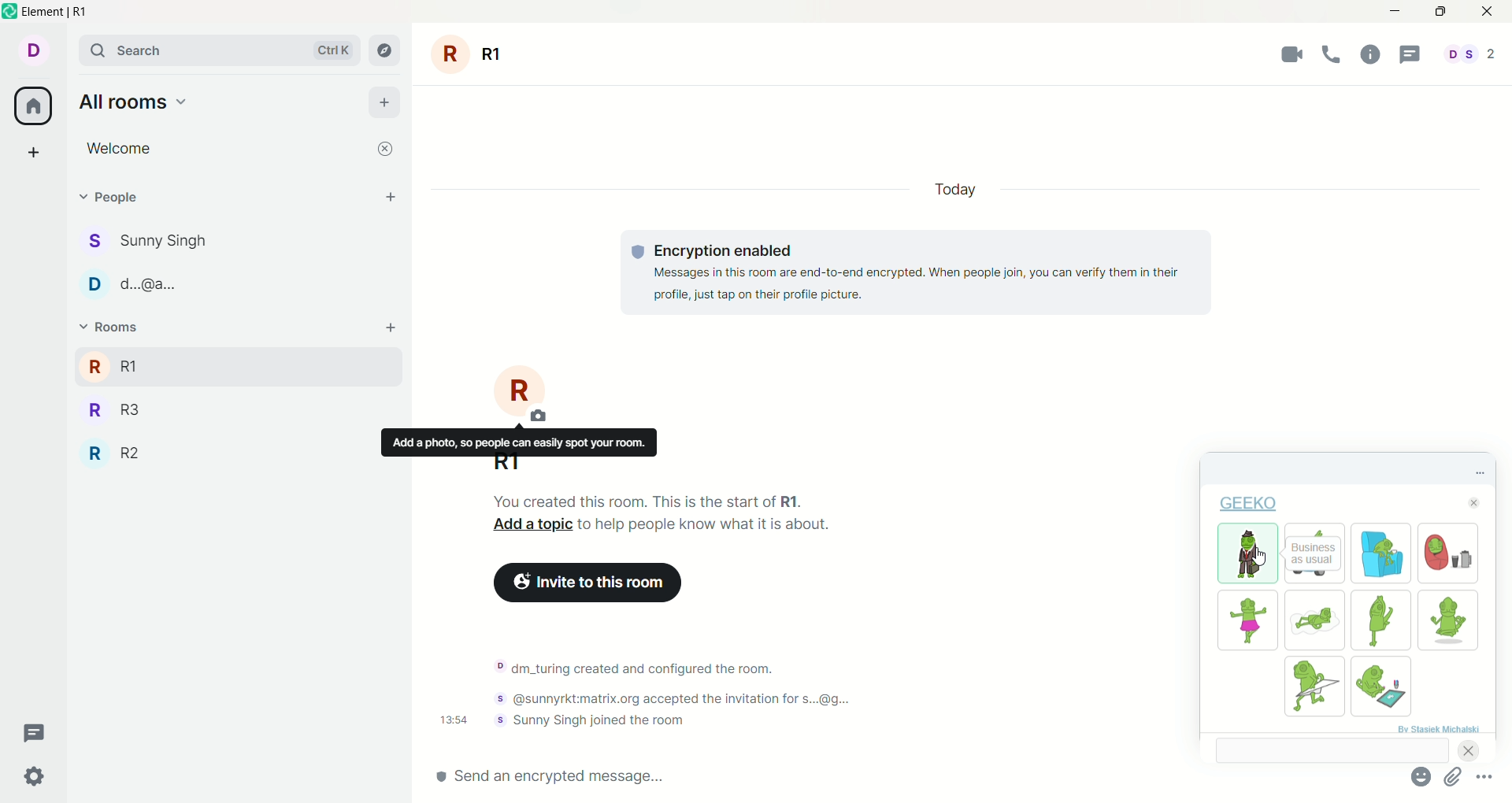  Describe the element at coordinates (1313, 554) in the screenshot. I see `Description of sticker currently selected` at that location.